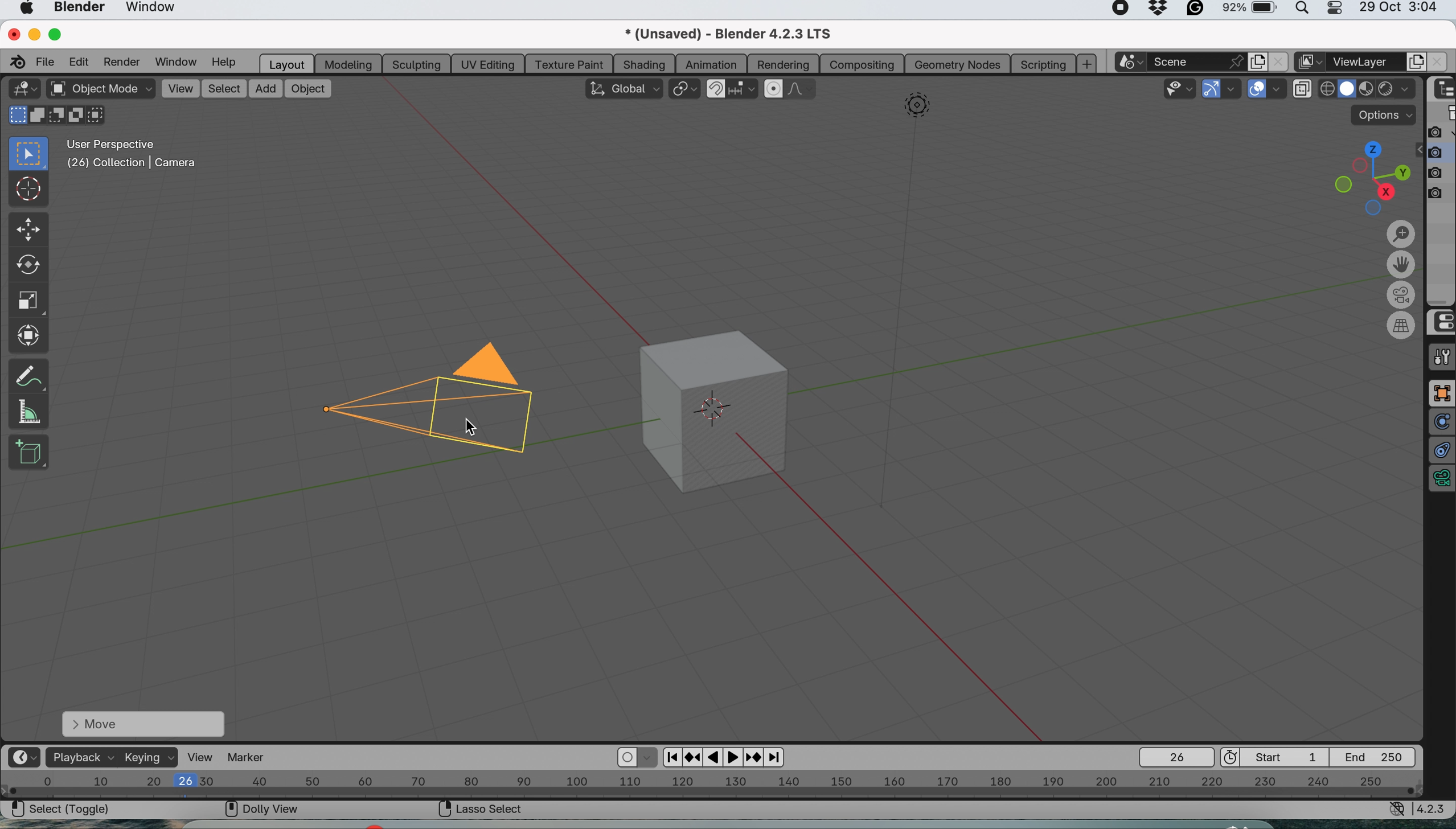 The width and height of the screenshot is (1456, 829). Describe the element at coordinates (1442, 114) in the screenshot. I see `scene collection` at that location.